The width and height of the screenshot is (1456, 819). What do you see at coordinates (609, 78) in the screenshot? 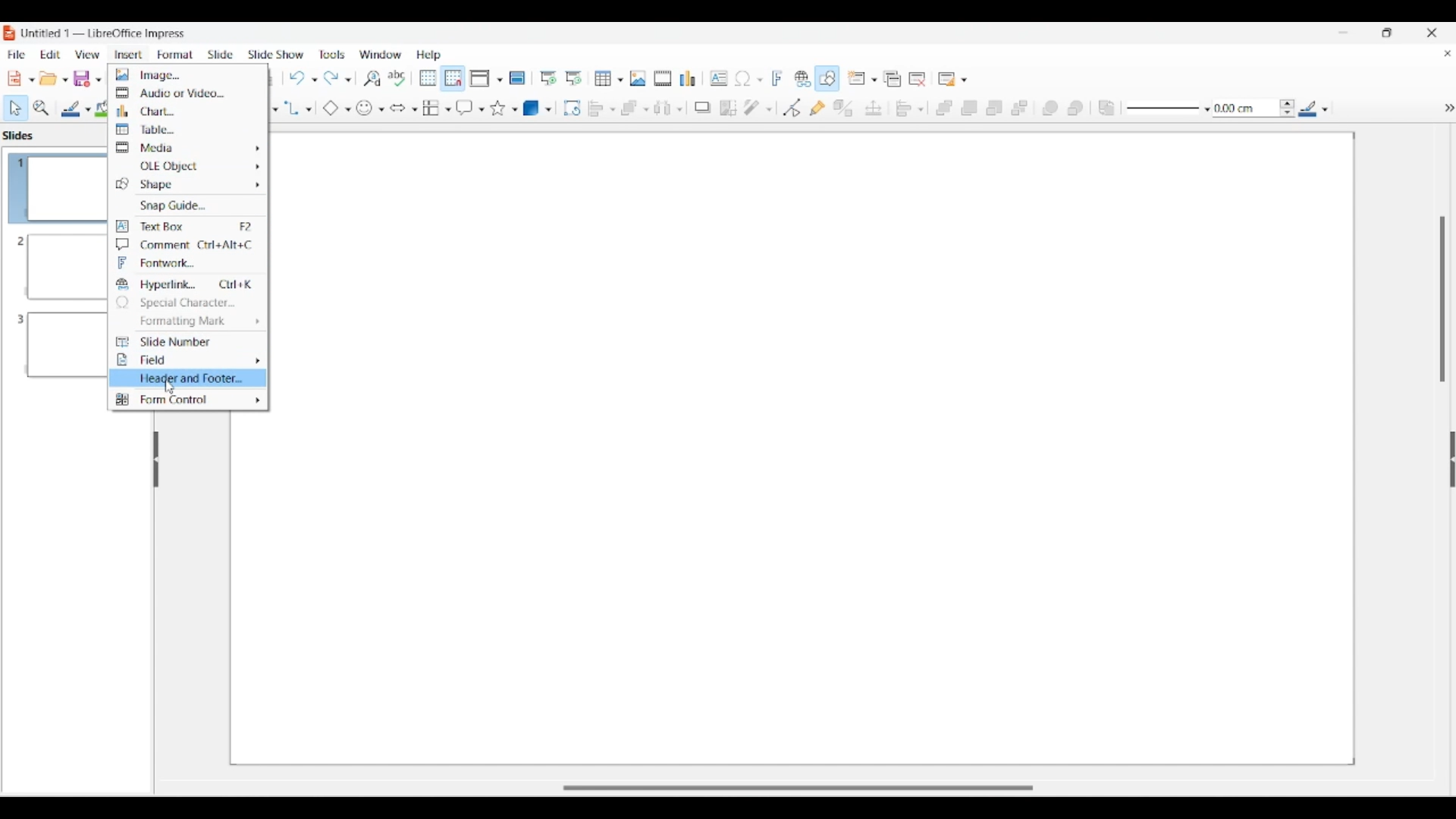
I see `Insert table options` at bounding box center [609, 78].